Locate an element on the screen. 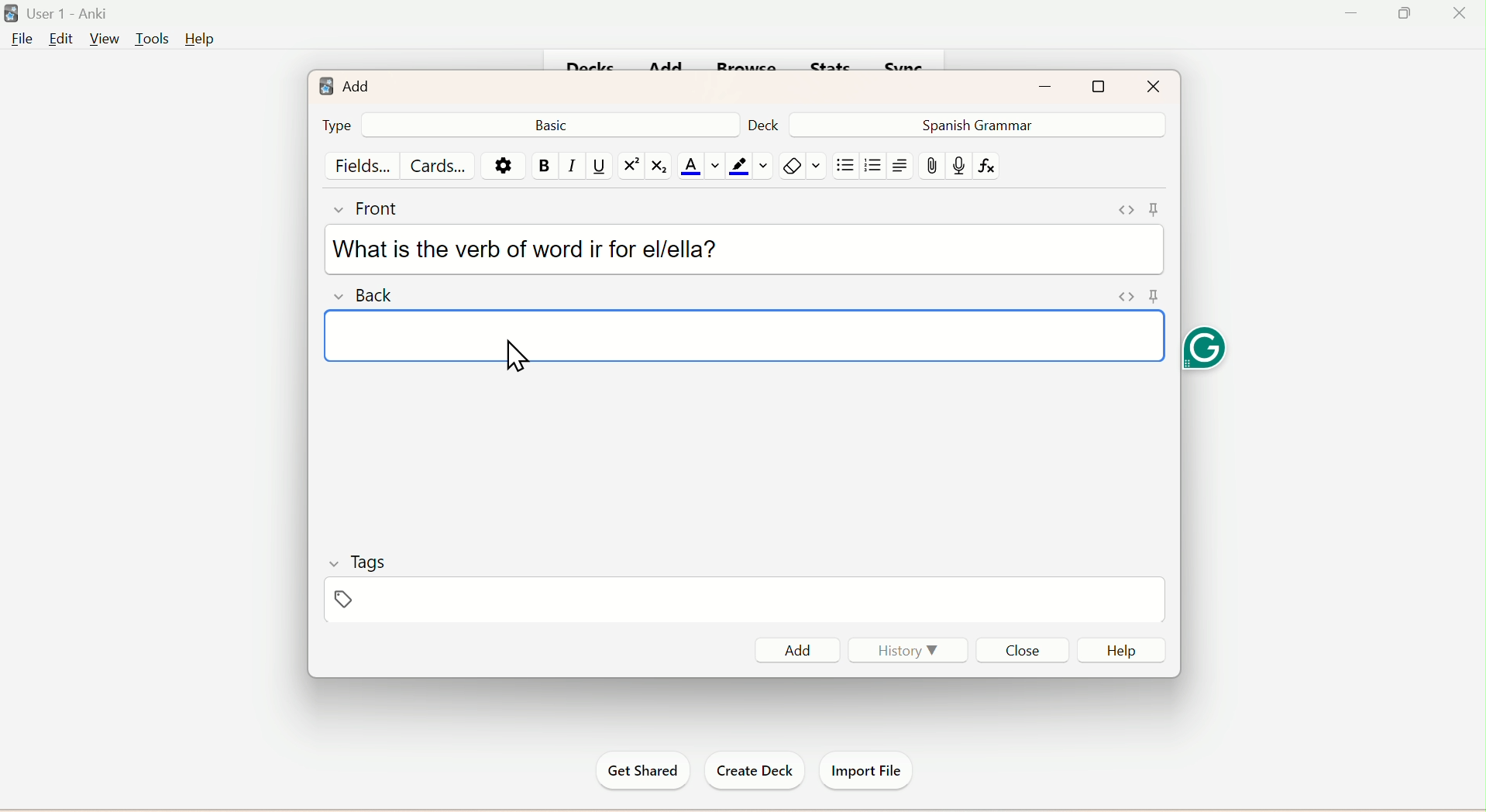  Pin is located at coordinates (1133, 207).